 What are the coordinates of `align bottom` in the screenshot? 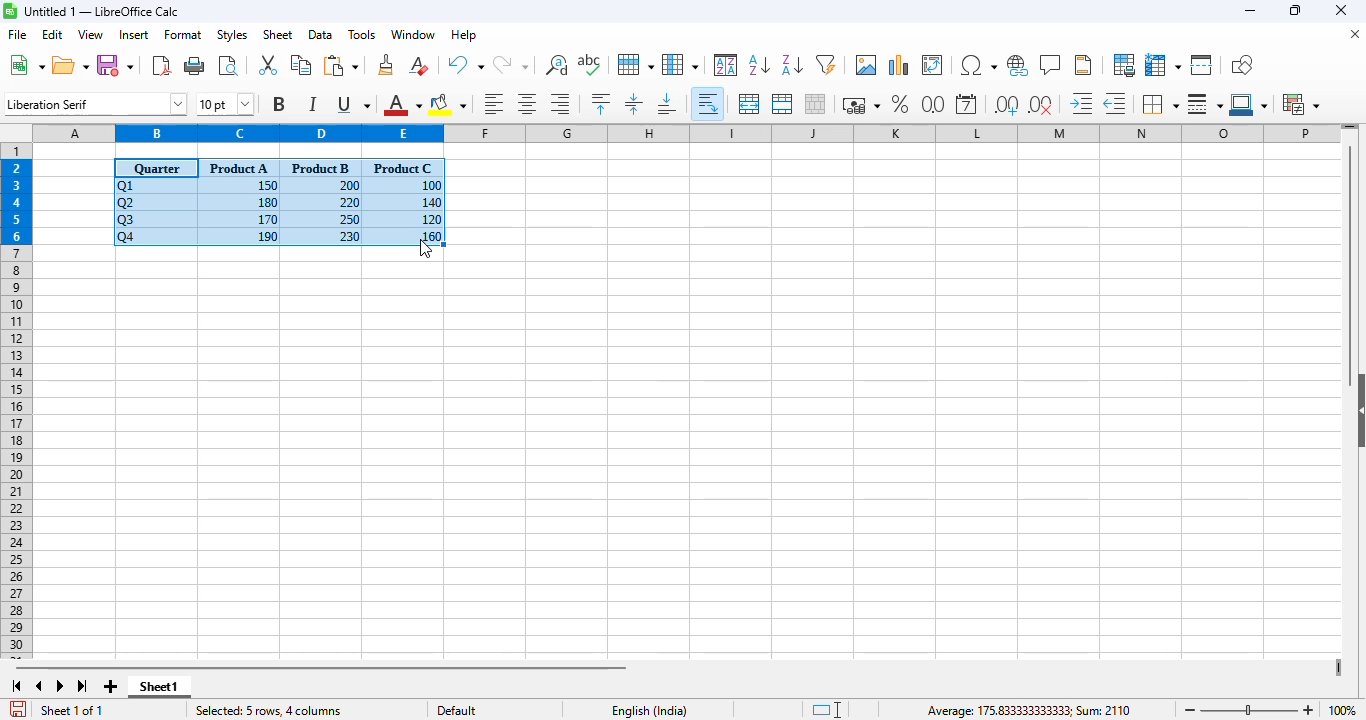 It's located at (668, 104).